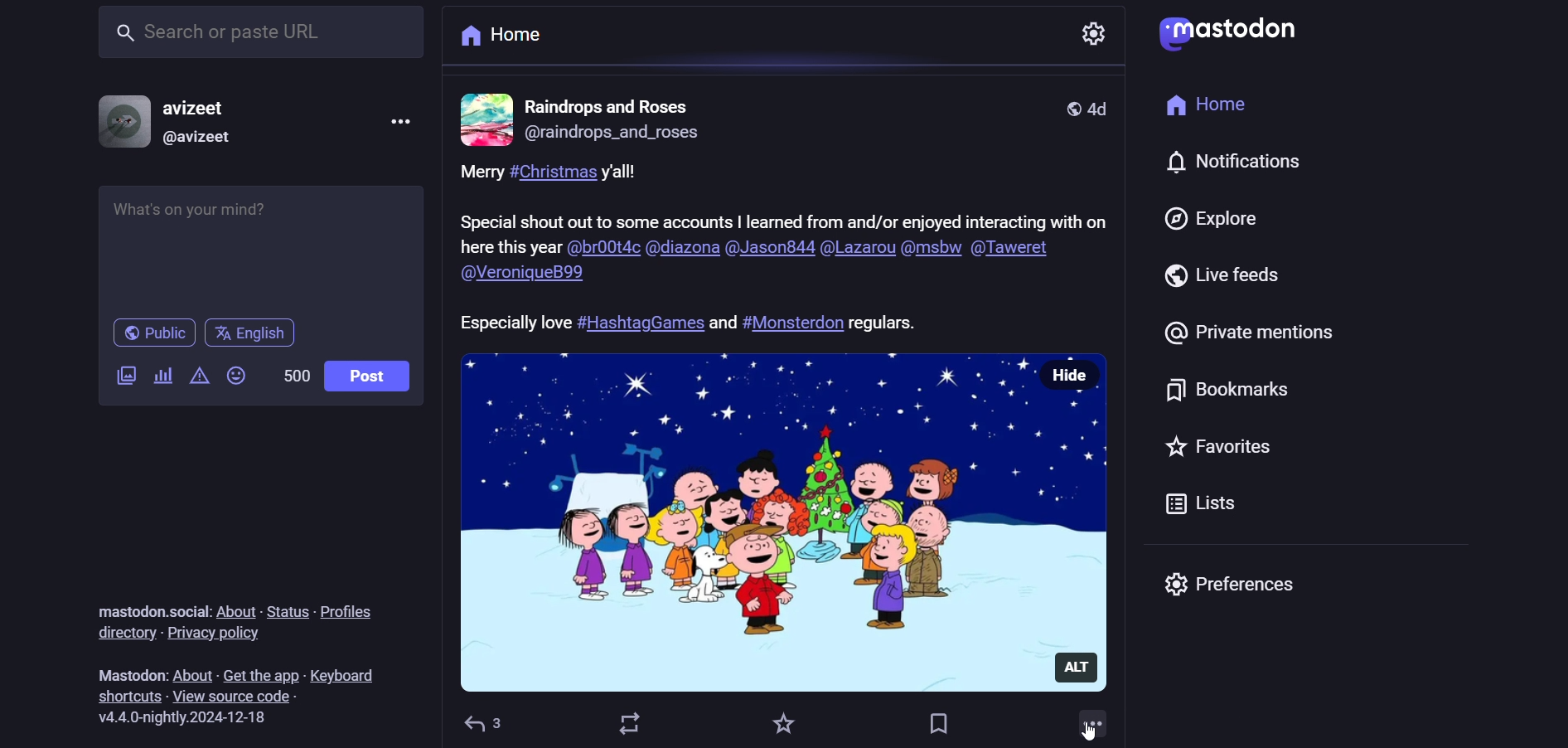 This screenshot has width=1568, height=748. What do you see at coordinates (1224, 391) in the screenshot?
I see `bookmarks` at bounding box center [1224, 391].